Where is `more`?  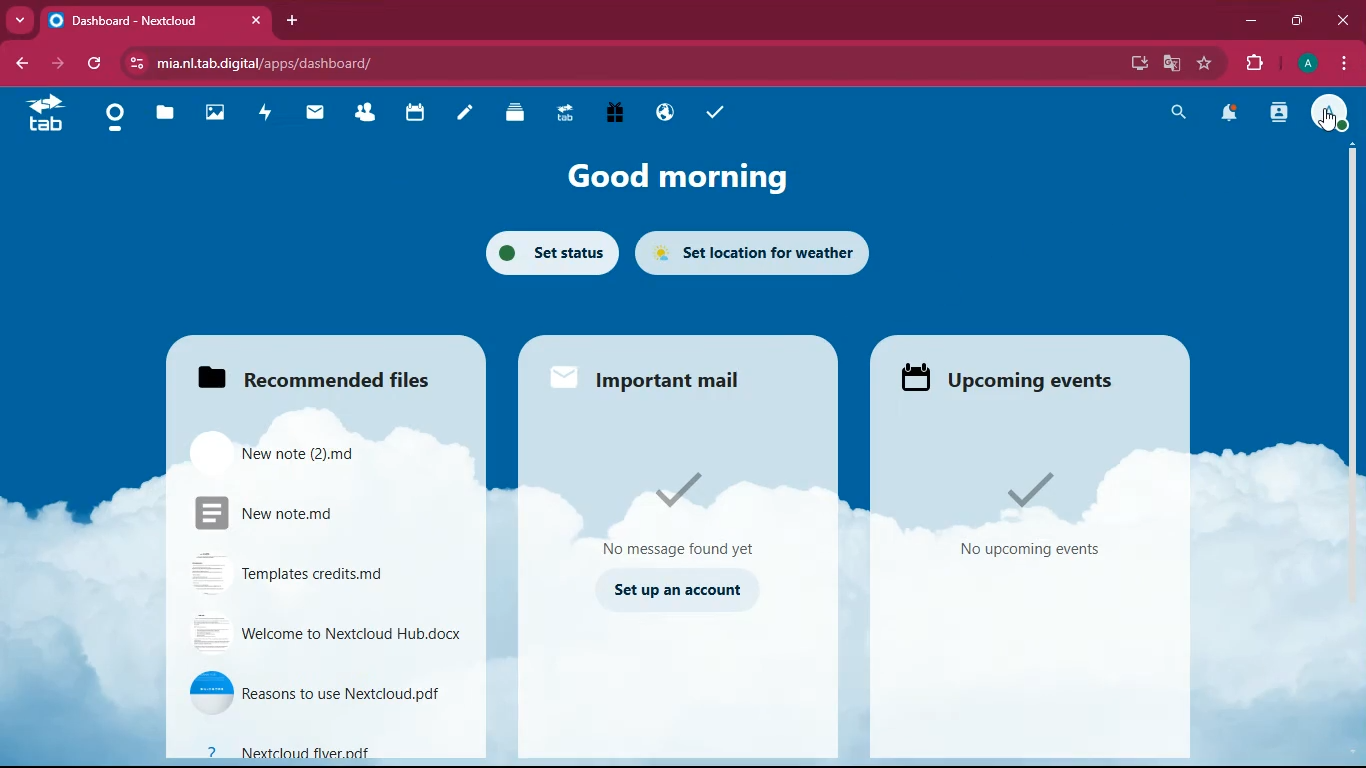 more is located at coordinates (19, 21).